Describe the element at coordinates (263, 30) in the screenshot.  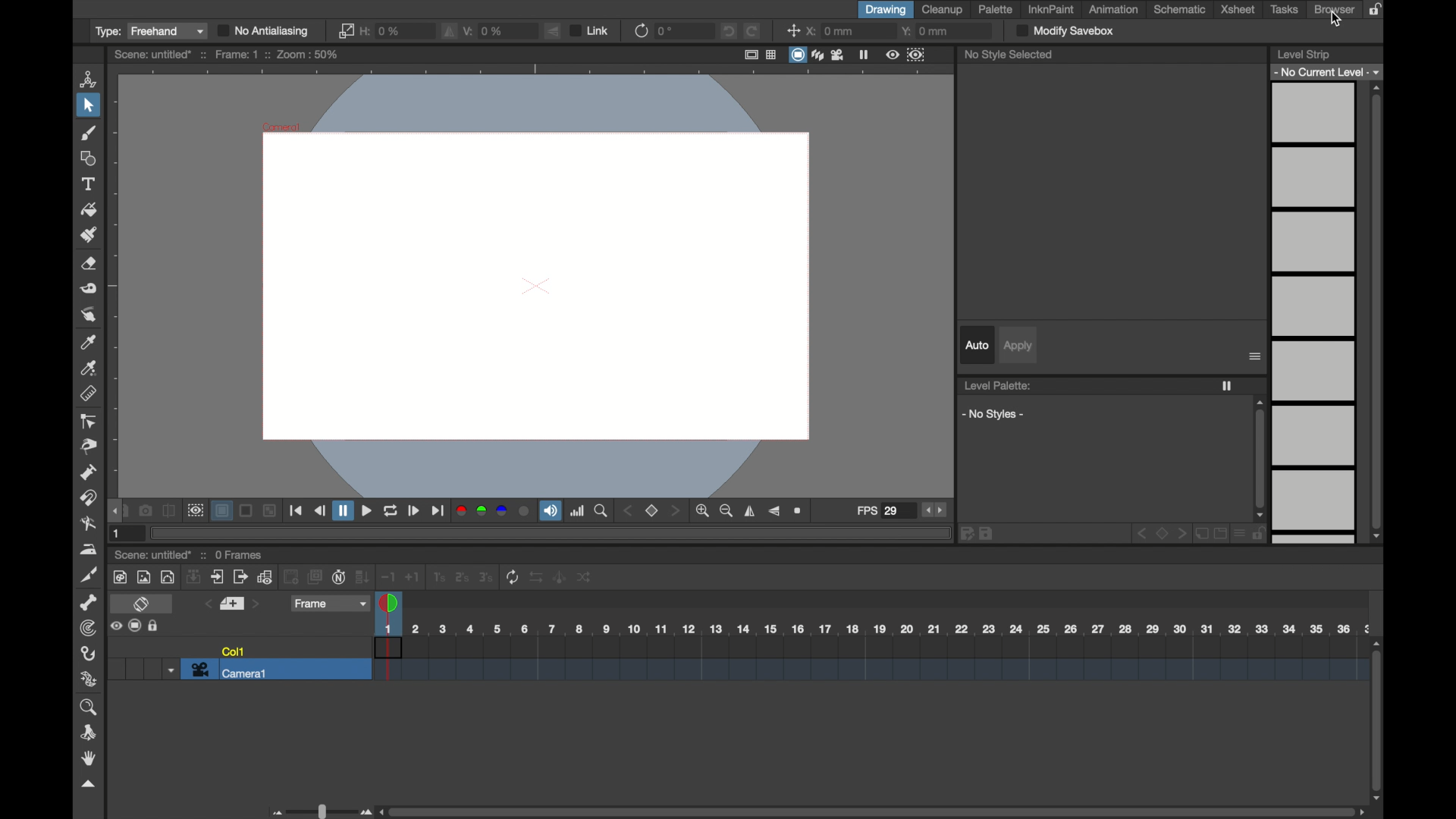
I see `no antialiasing` at that location.